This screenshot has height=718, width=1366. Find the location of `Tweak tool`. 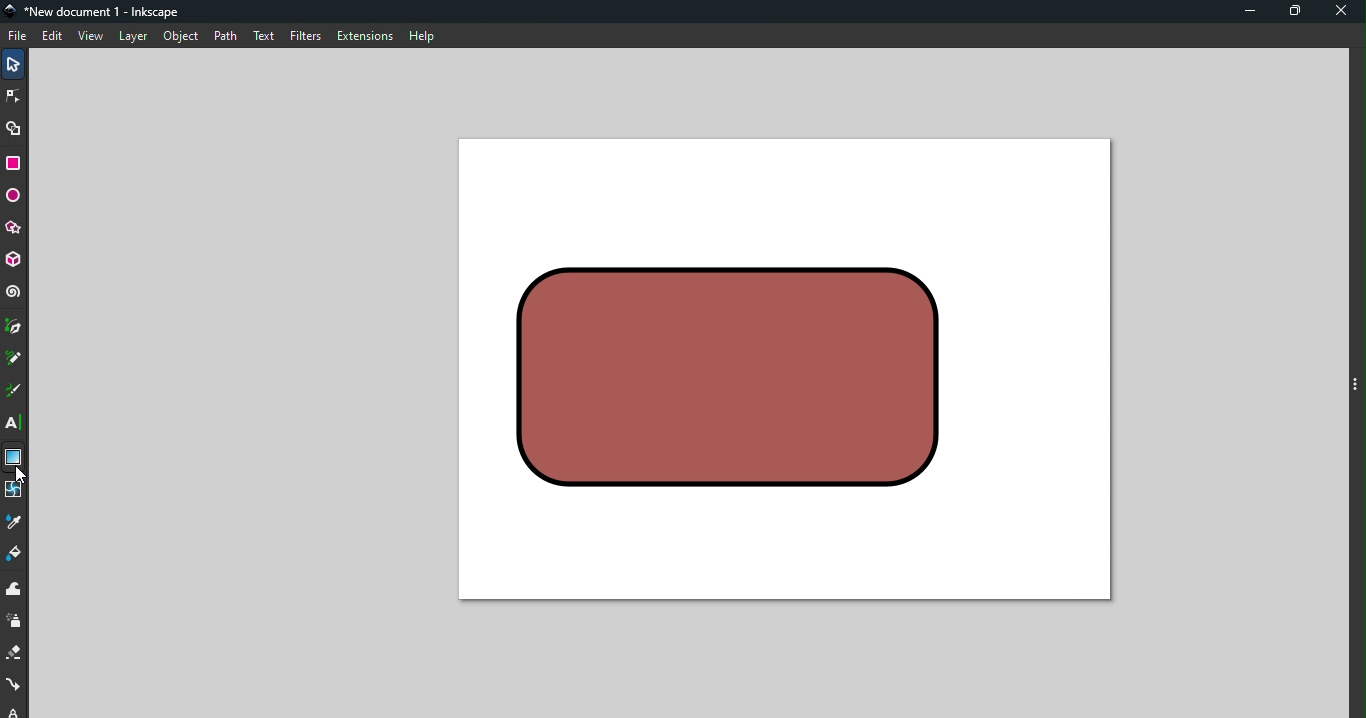

Tweak tool is located at coordinates (14, 590).